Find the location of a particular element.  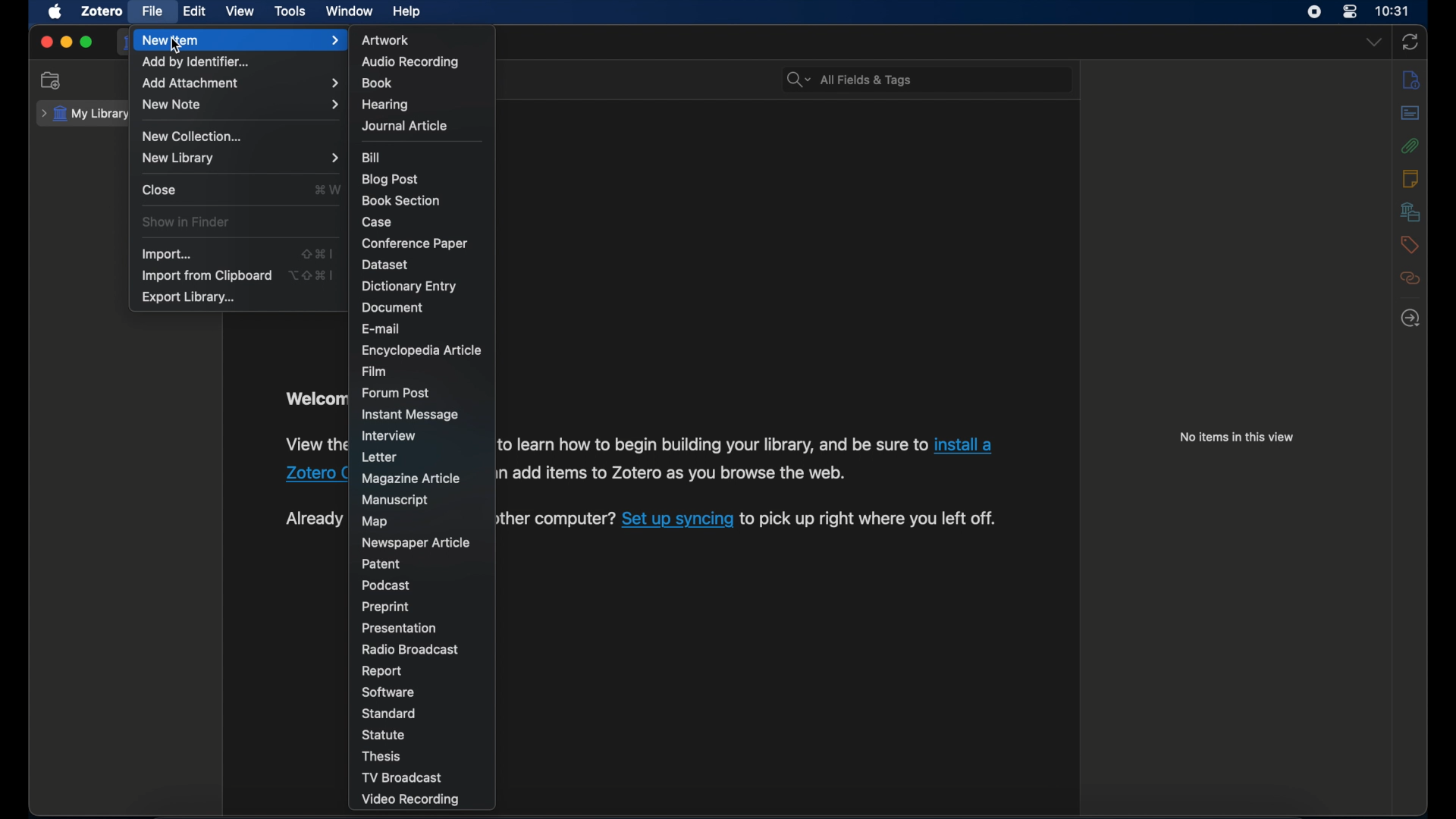

 is located at coordinates (315, 475).